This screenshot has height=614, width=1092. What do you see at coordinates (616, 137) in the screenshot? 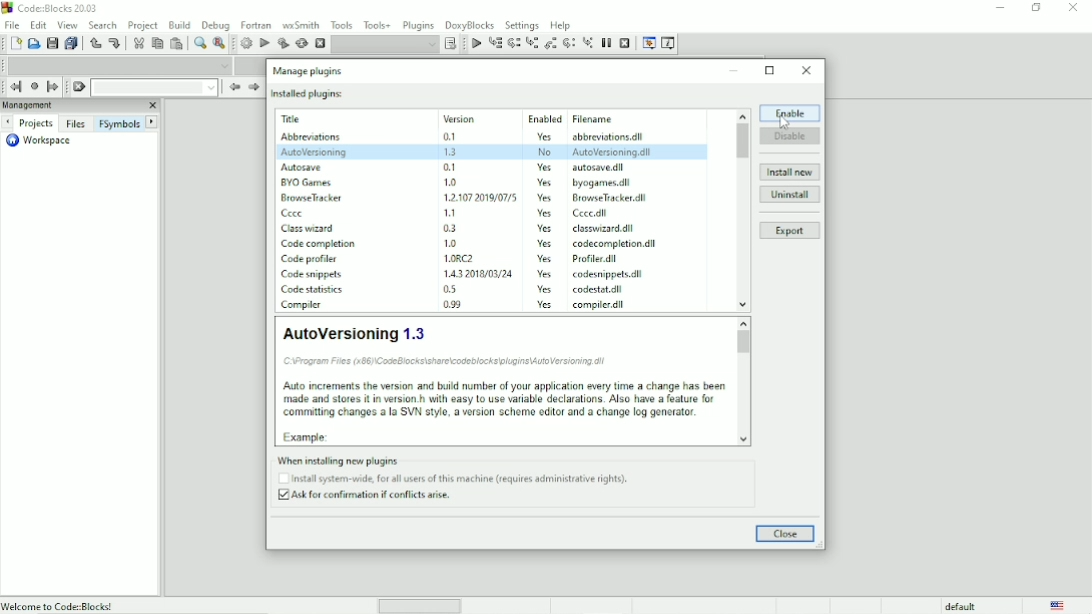
I see `file` at bounding box center [616, 137].